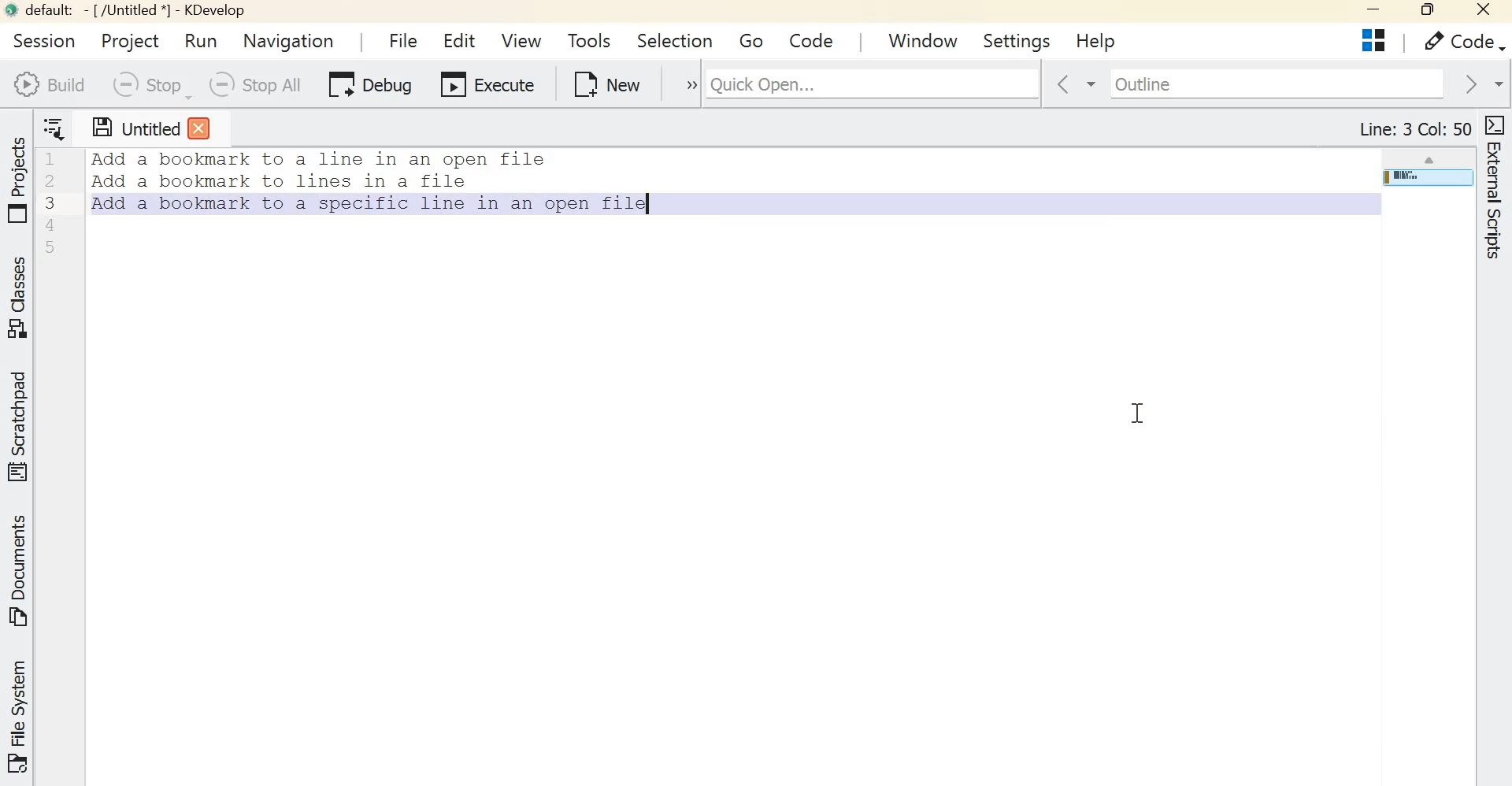 Image resolution: width=1512 pixels, height=786 pixels. Describe the element at coordinates (321, 168) in the screenshot. I see `` at that location.